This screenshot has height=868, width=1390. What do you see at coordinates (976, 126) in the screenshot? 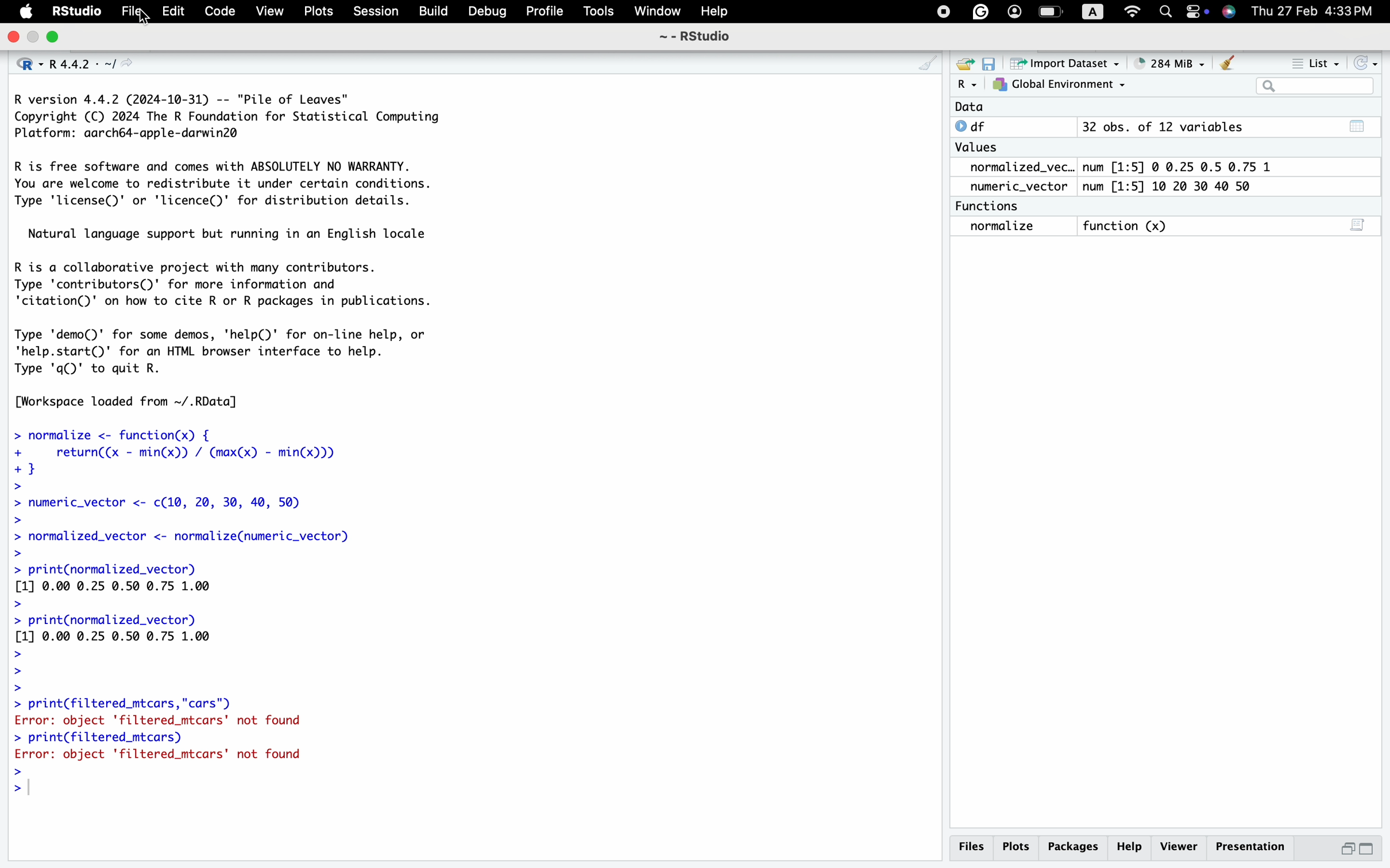
I see `0 df` at bounding box center [976, 126].